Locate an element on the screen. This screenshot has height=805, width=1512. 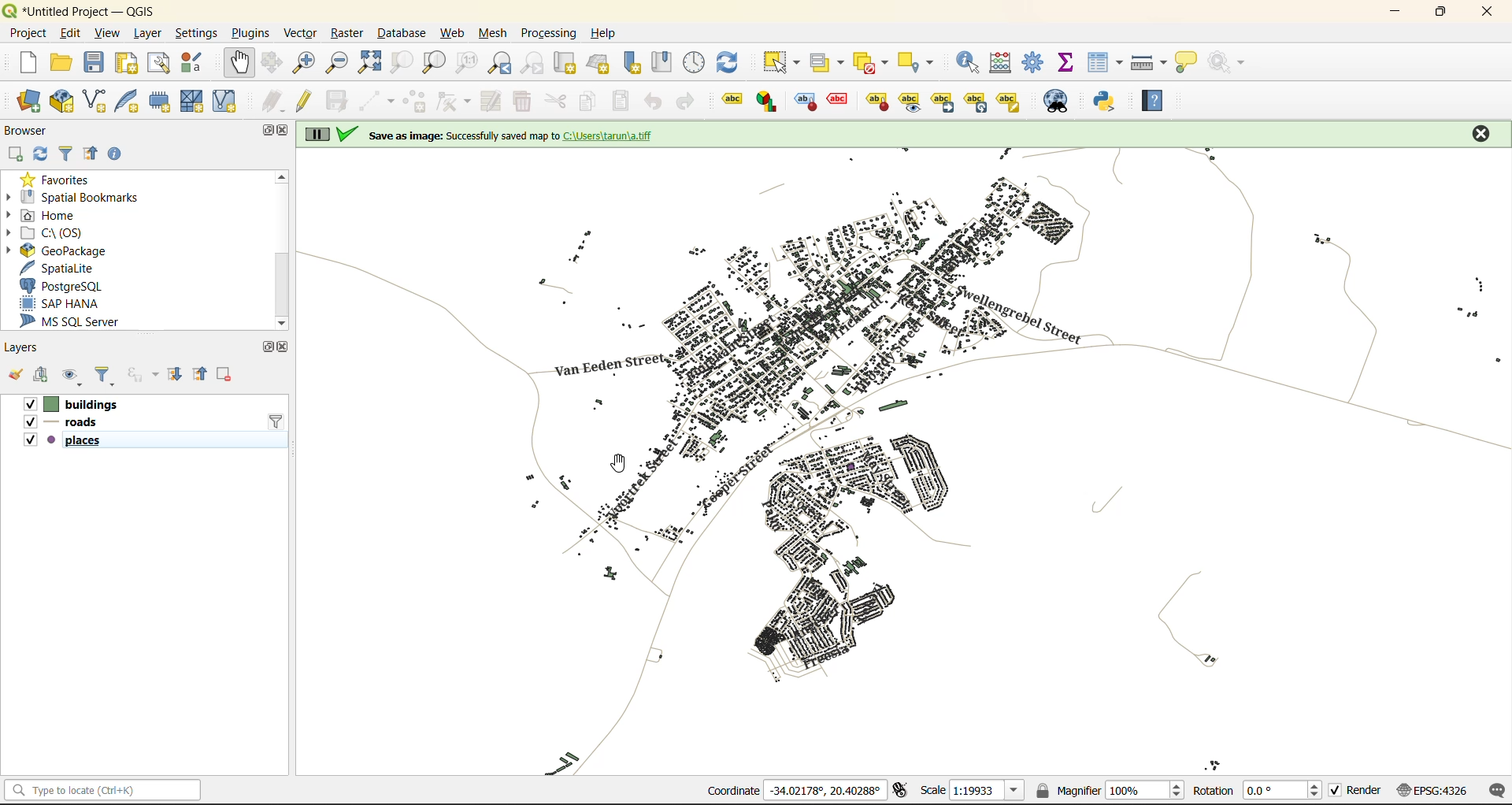
select is located at coordinates (784, 62).